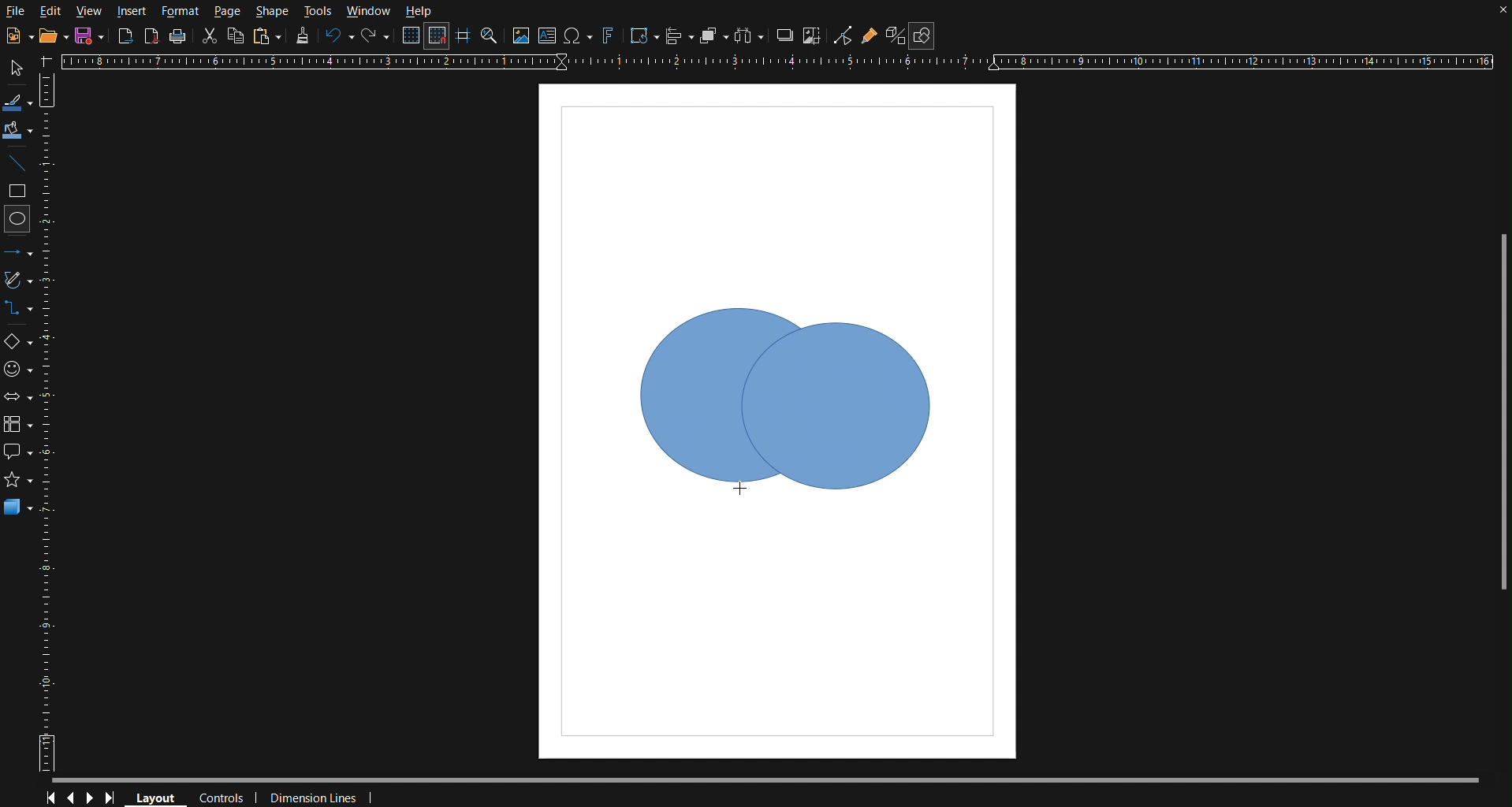  Describe the element at coordinates (684, 391) in the screenshot. I see `Shape Box` at that location.